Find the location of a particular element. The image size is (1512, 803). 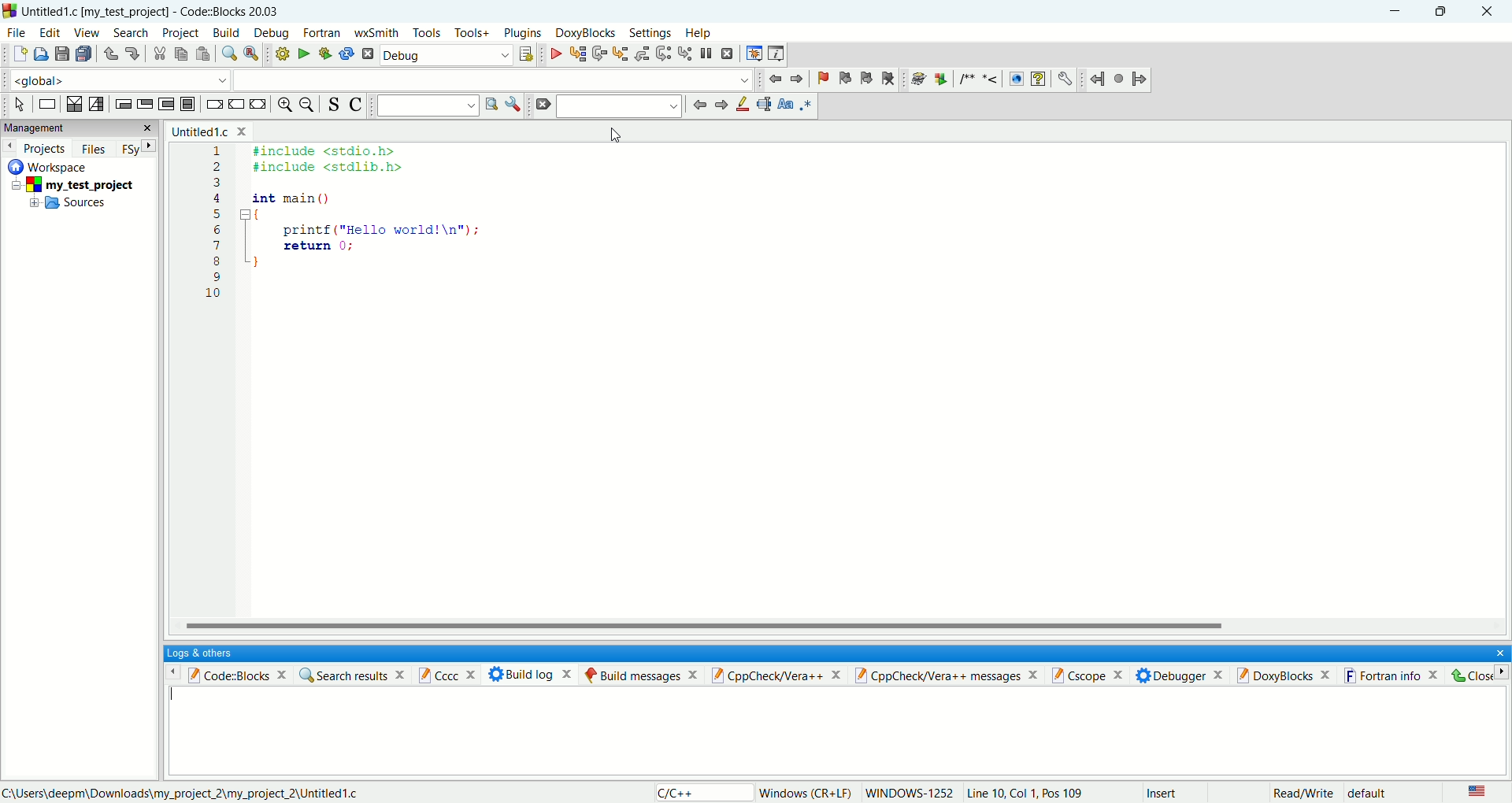

project is located at coordinates (80, 183).